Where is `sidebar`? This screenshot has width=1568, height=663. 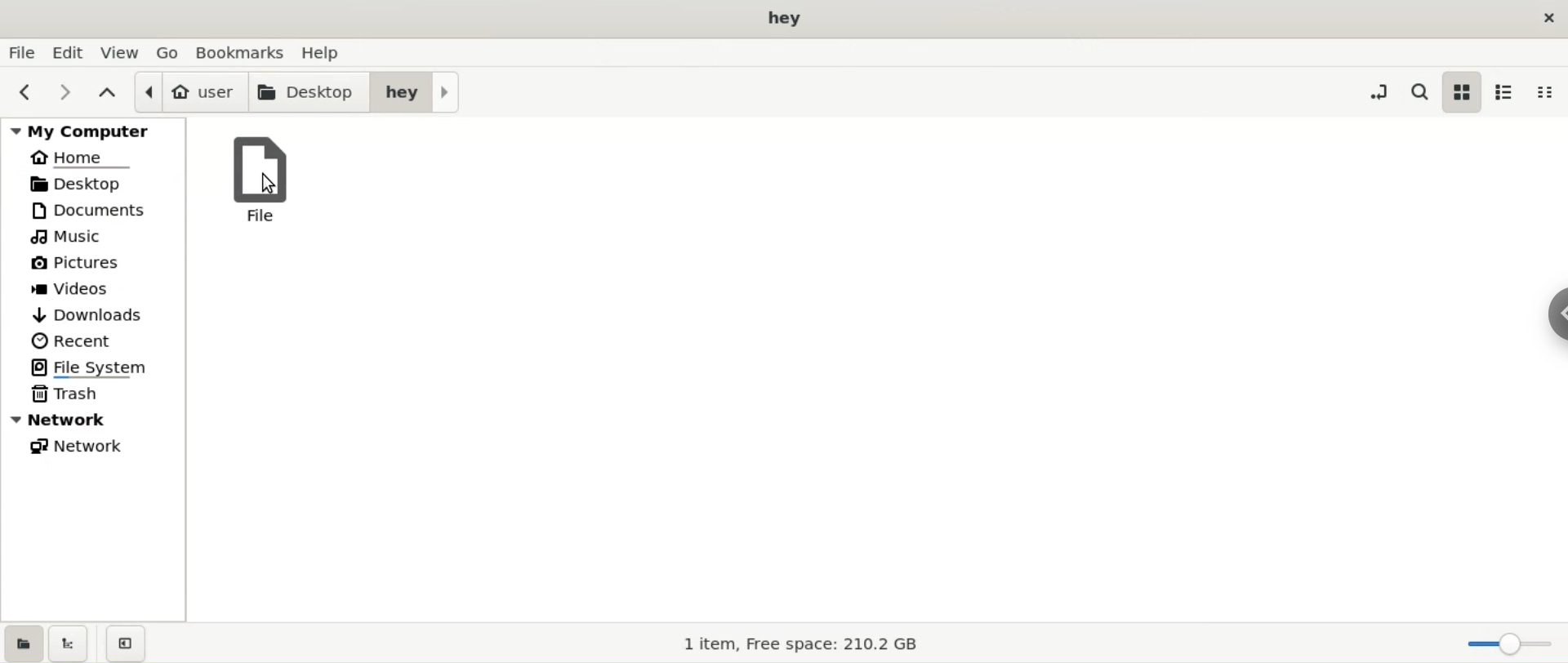 sidebar is located at coordinates (1550, 318).